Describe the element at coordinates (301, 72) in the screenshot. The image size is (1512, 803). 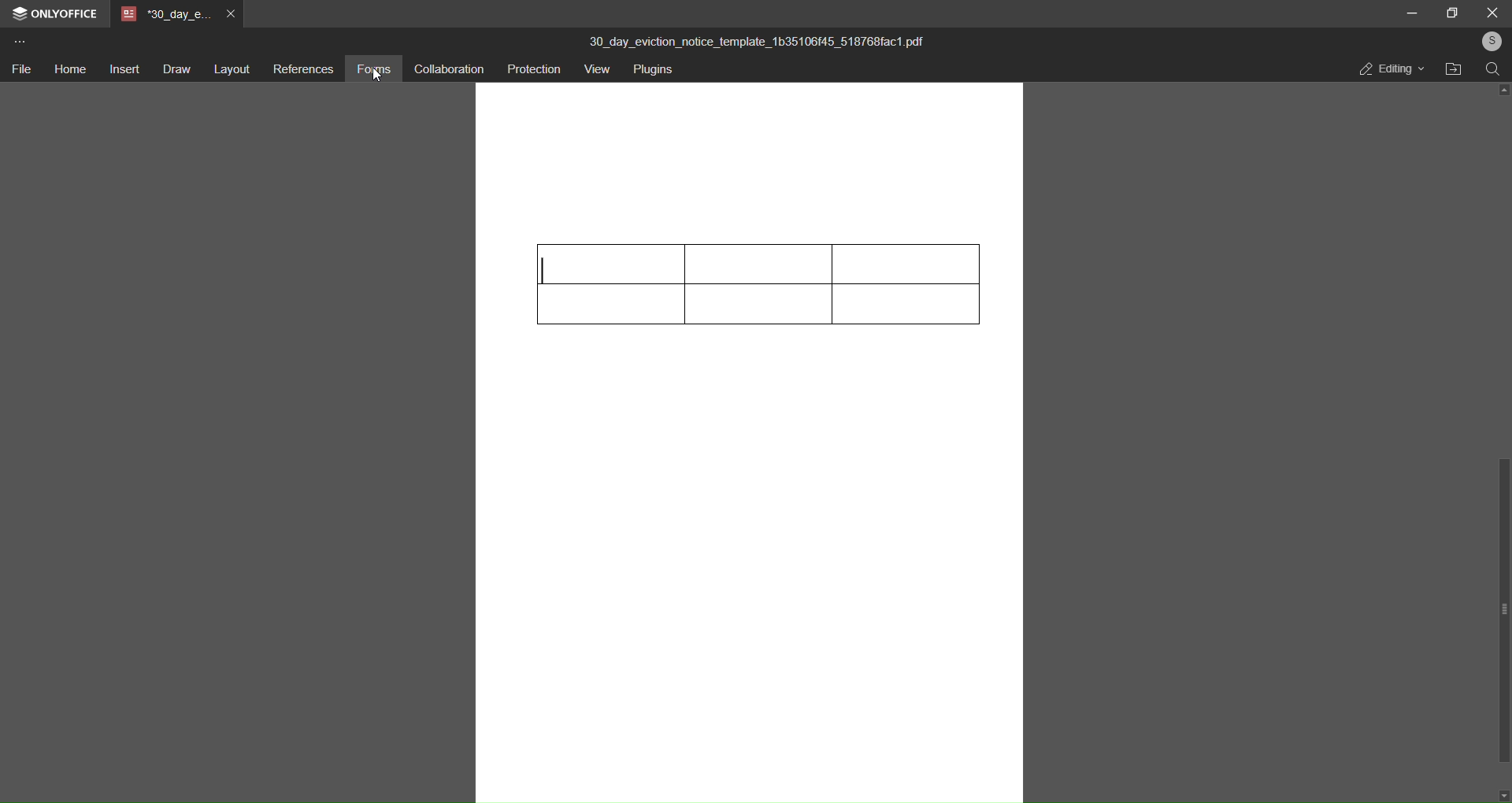
I see `references` at that location.